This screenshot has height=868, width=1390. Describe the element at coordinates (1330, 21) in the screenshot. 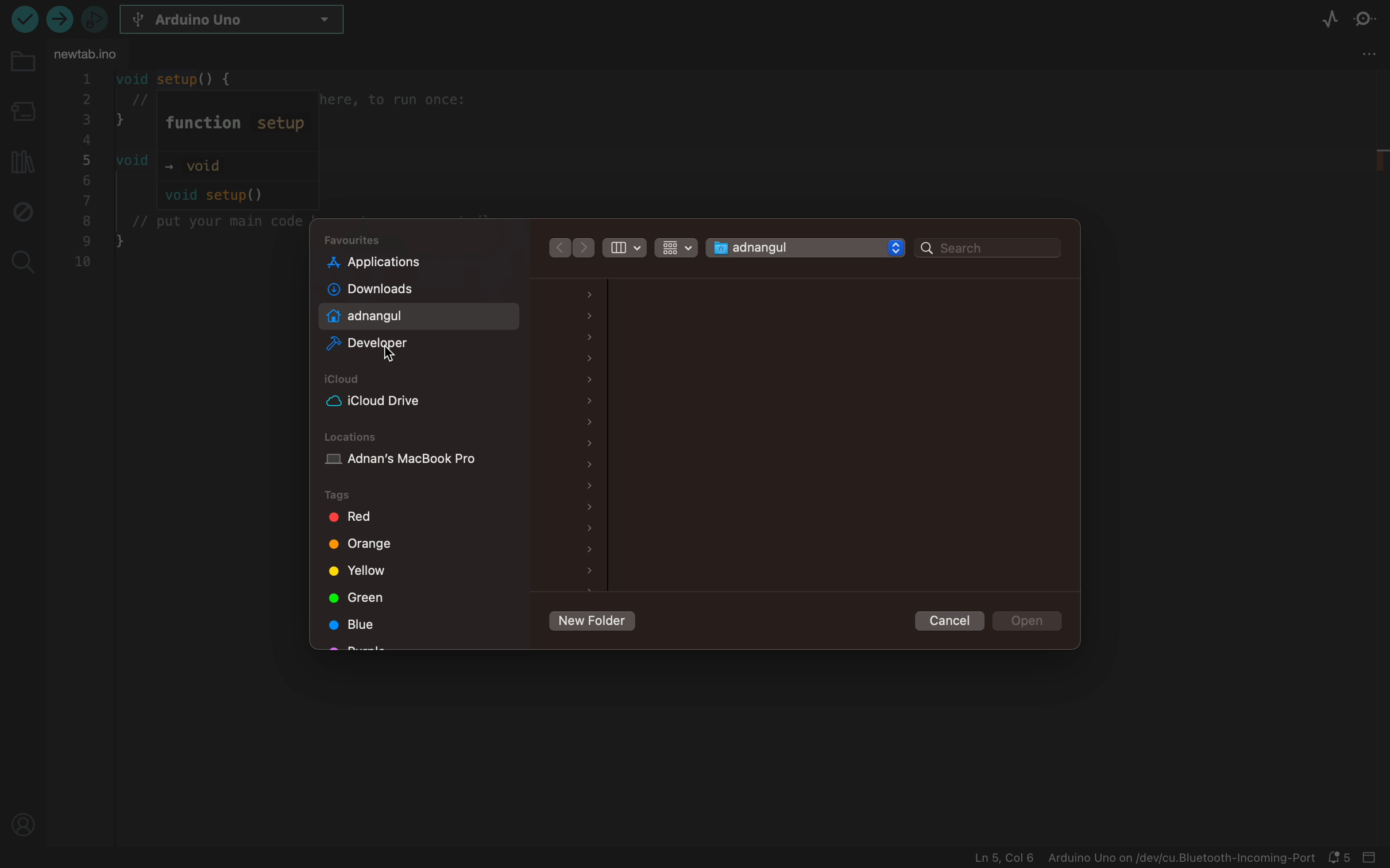

I see `serial plotter` at that location.